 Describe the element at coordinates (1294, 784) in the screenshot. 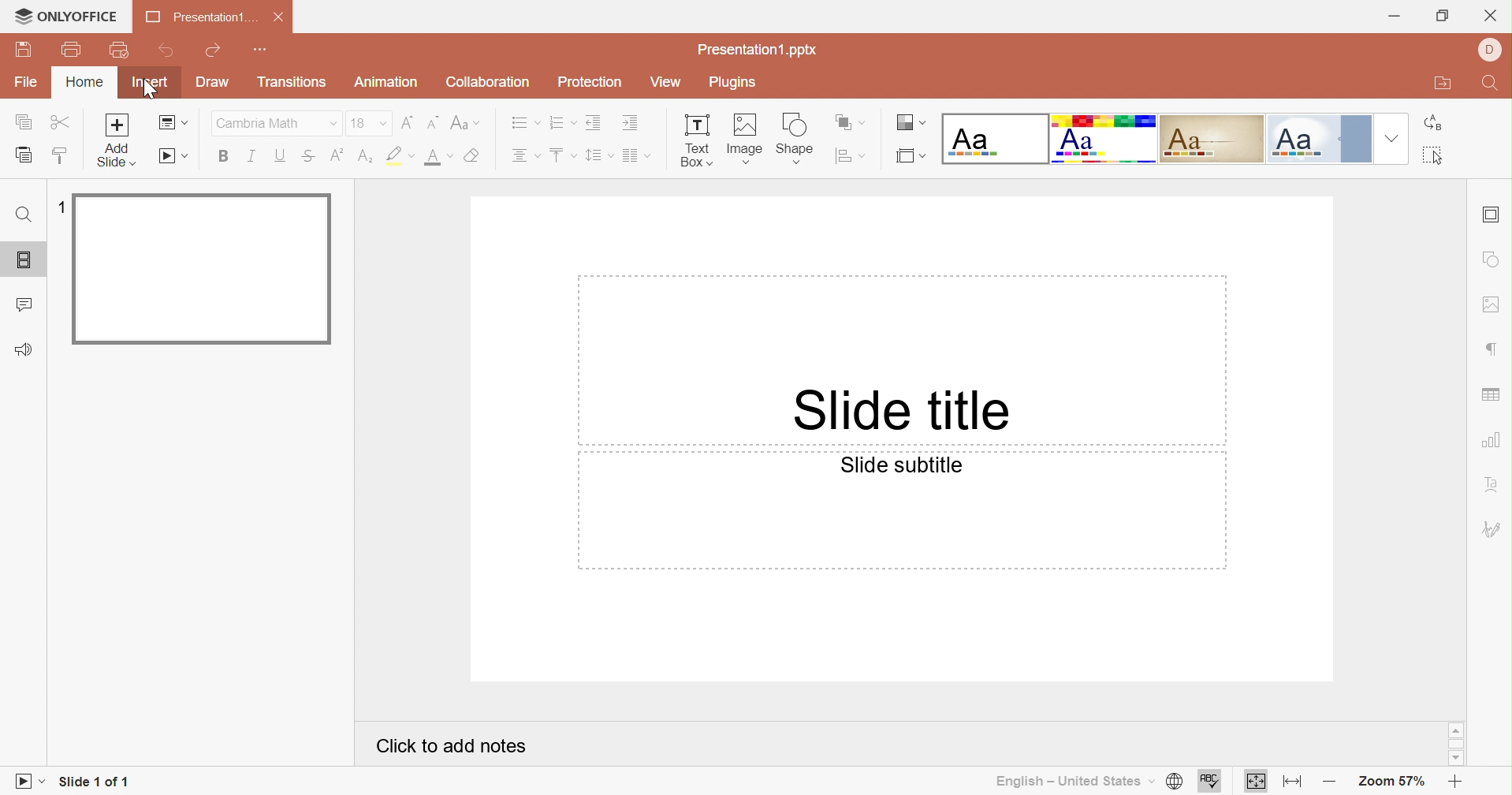

I see `Fit to width` at that location.